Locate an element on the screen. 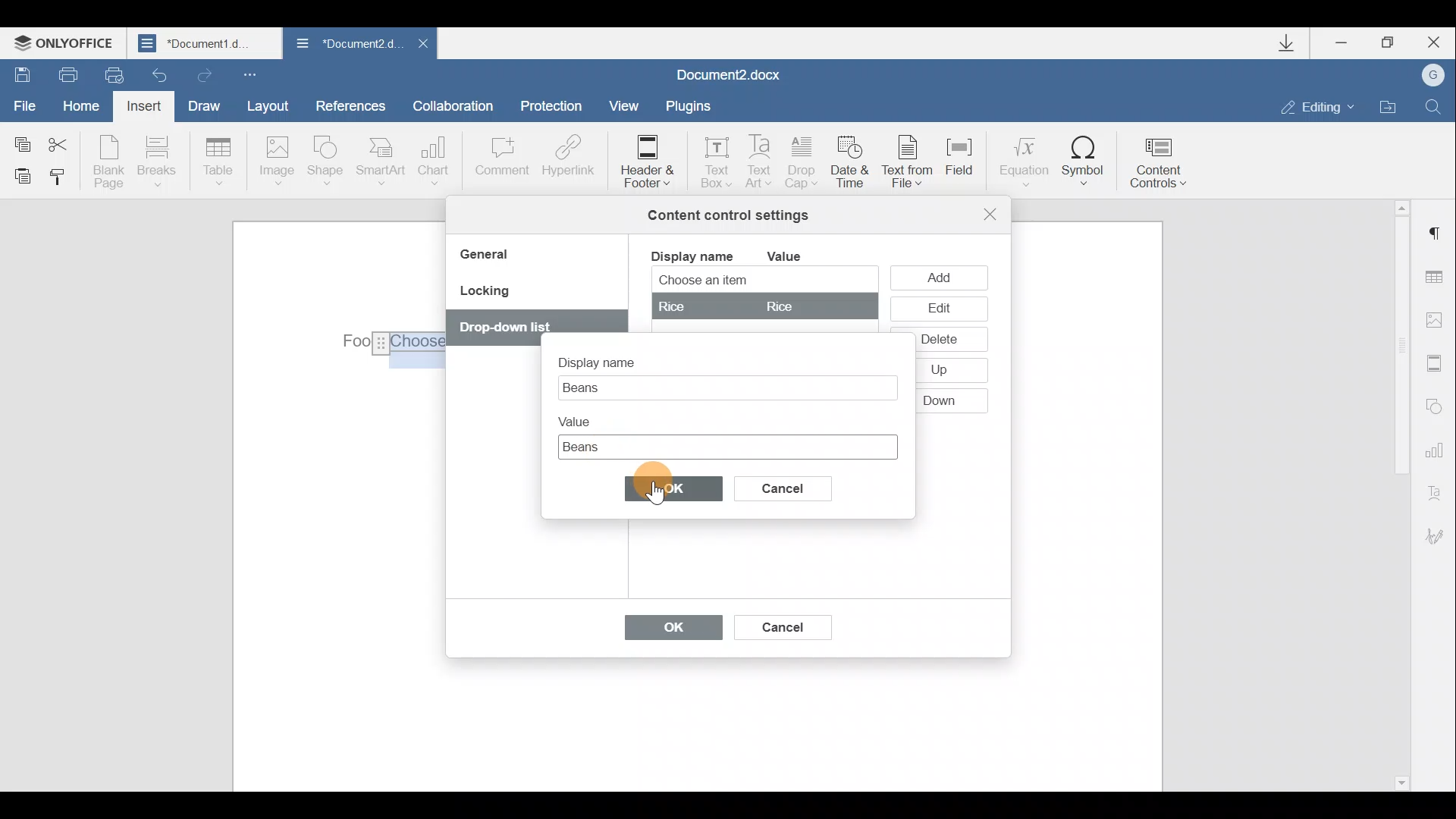 This screenshot has height=819, width=1456. Quick print is located at coordinates (112, 76).